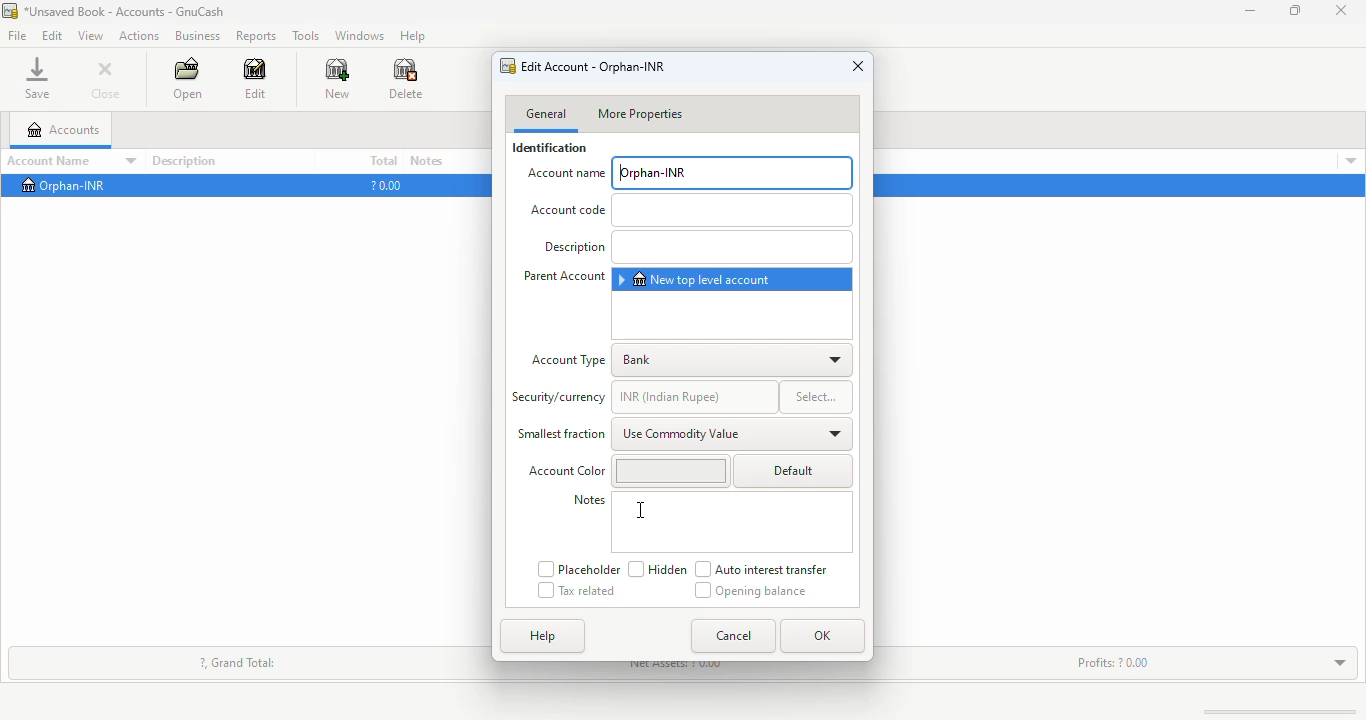 This screenshot has width=1366, height=720. What do you see at coordinates (1113, 662) in the screenshot?
I see `profits: ? 0.00` at bounding box center [1113, 662].